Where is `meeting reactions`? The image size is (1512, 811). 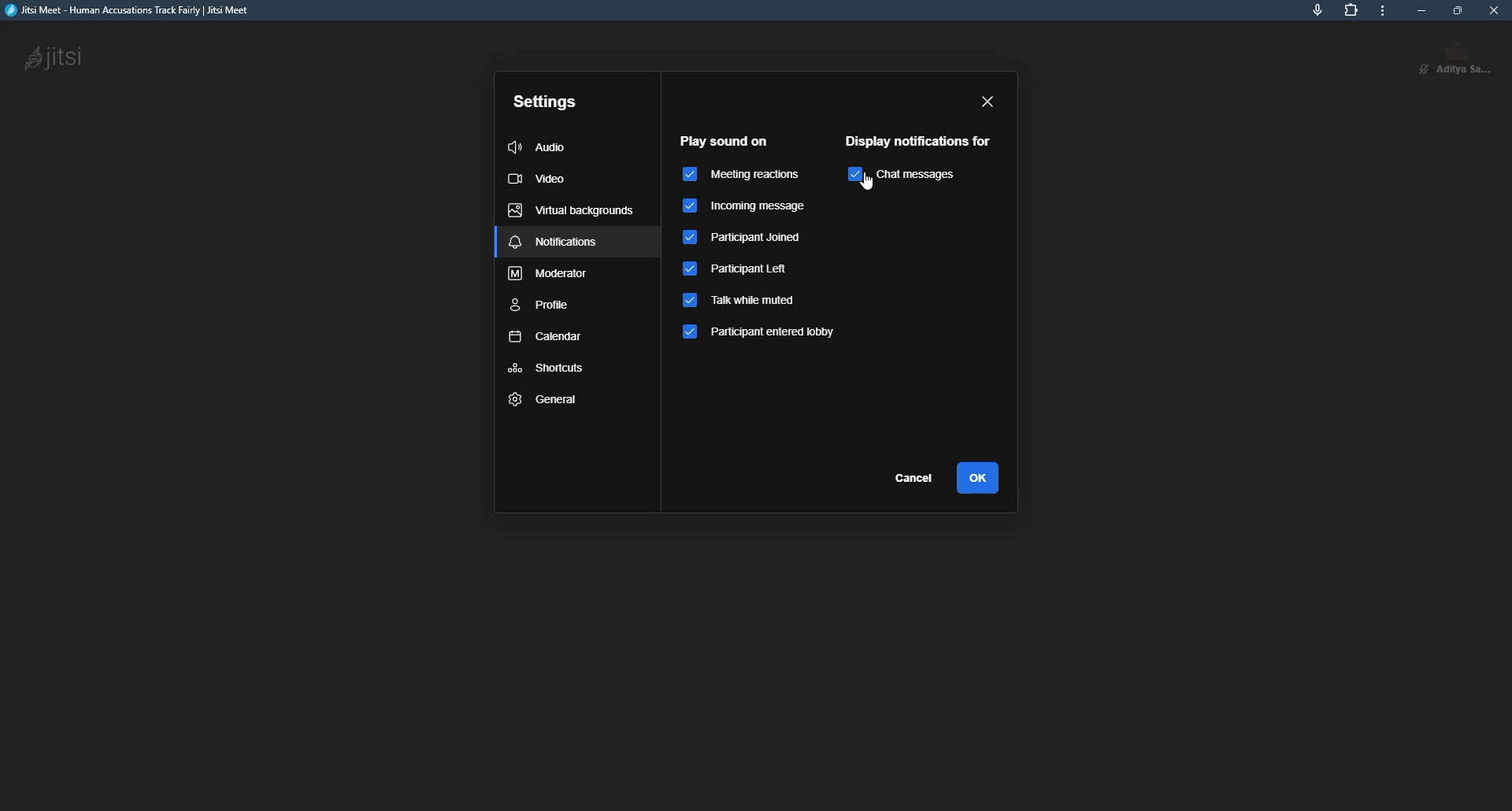
meeting reactions is located at coordinates (740, 176).